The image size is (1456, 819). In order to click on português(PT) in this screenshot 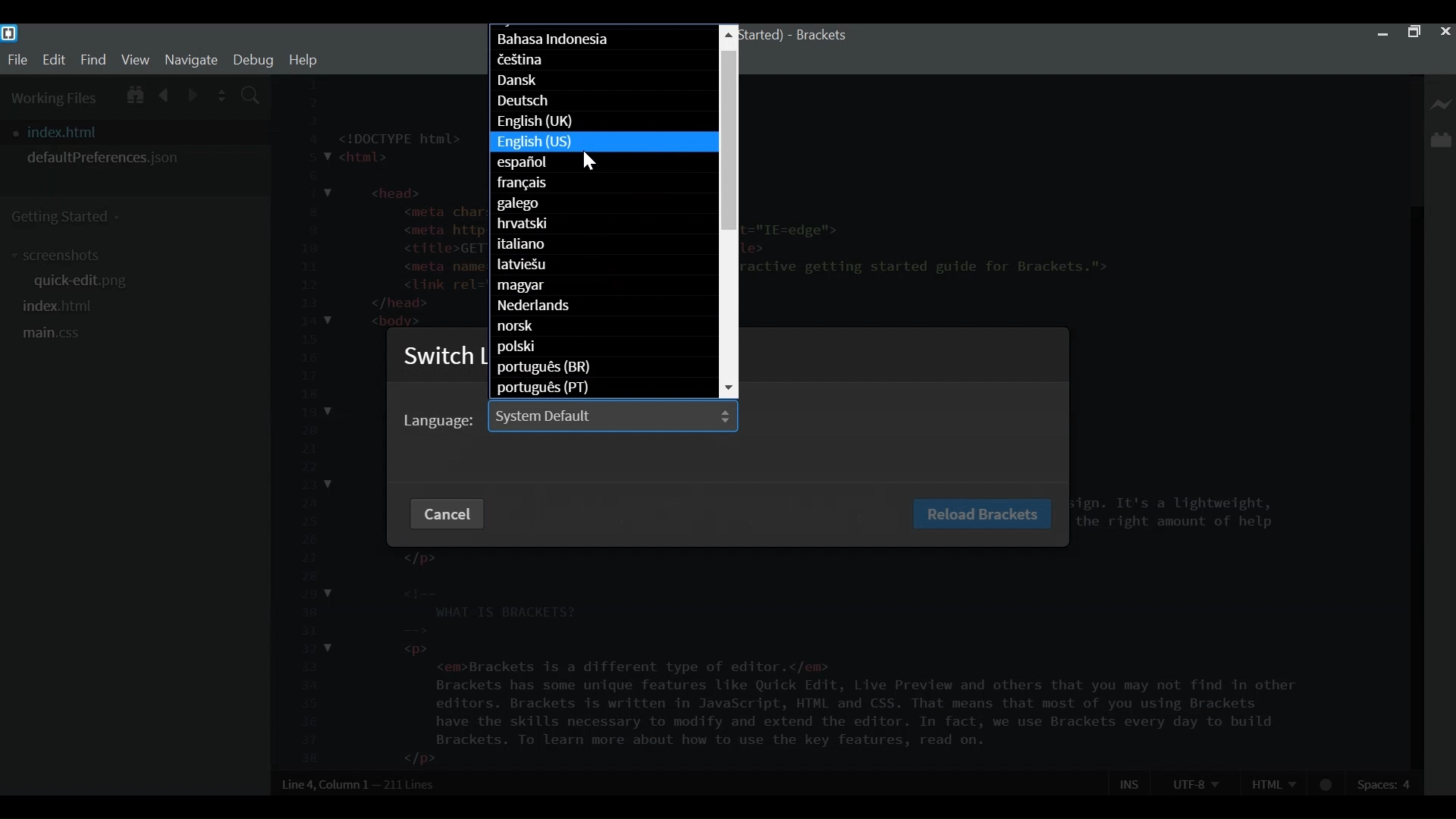, I will do `click(601, 388)`.